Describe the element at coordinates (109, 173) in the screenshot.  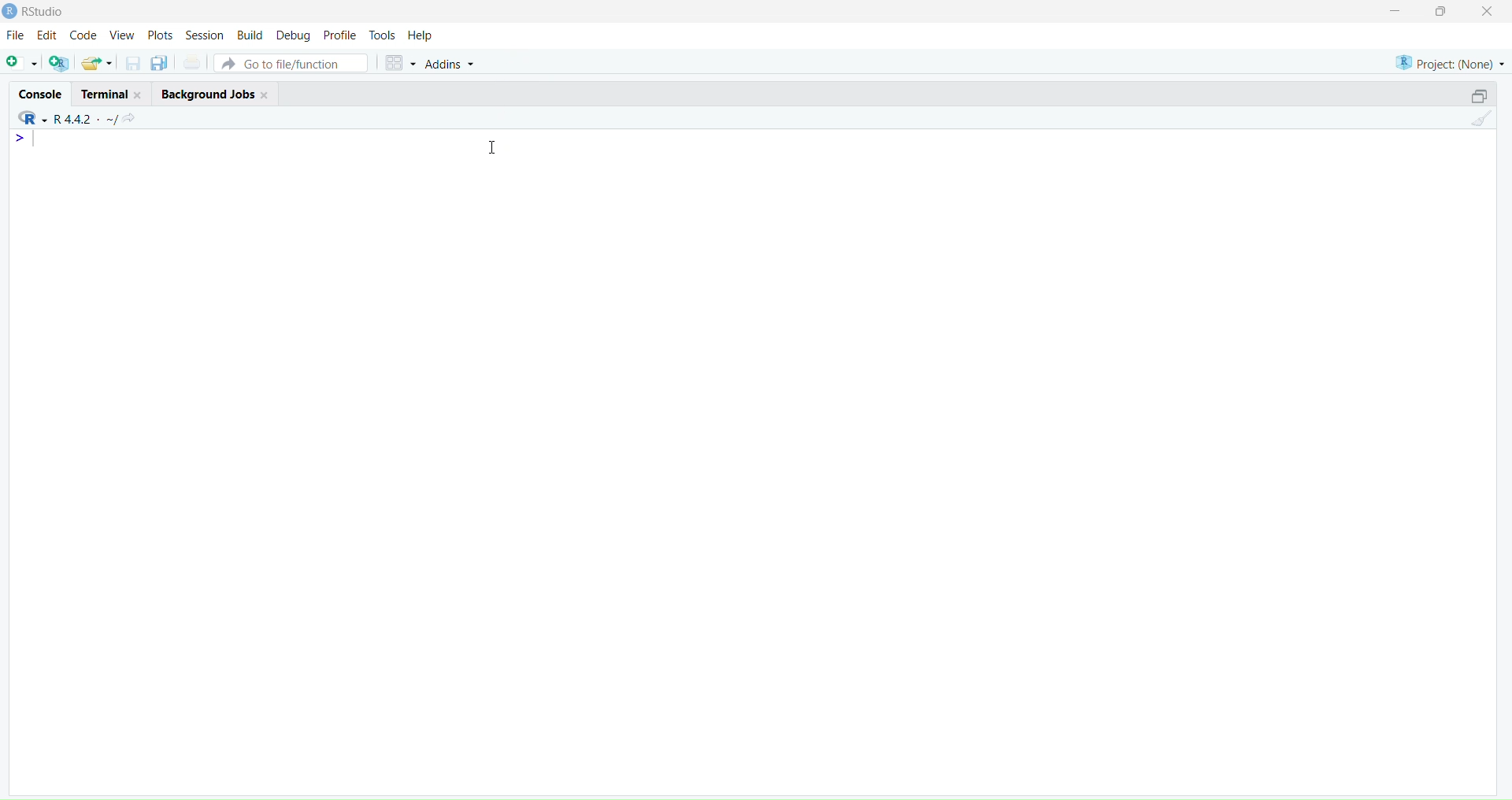
I see `console editor` at that location.